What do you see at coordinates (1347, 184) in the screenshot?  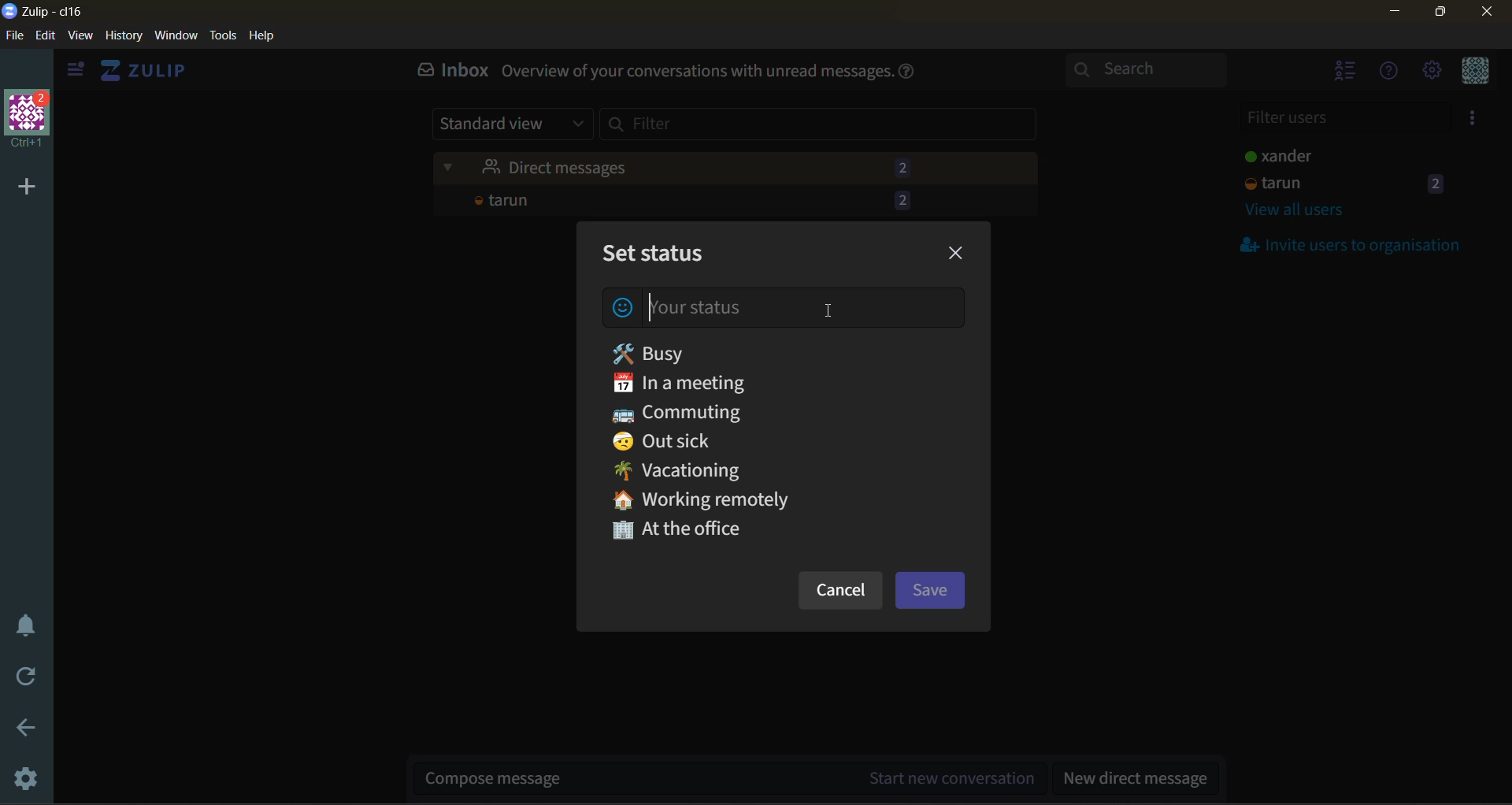 I see `tarun` at bounding box center [1347, 184].